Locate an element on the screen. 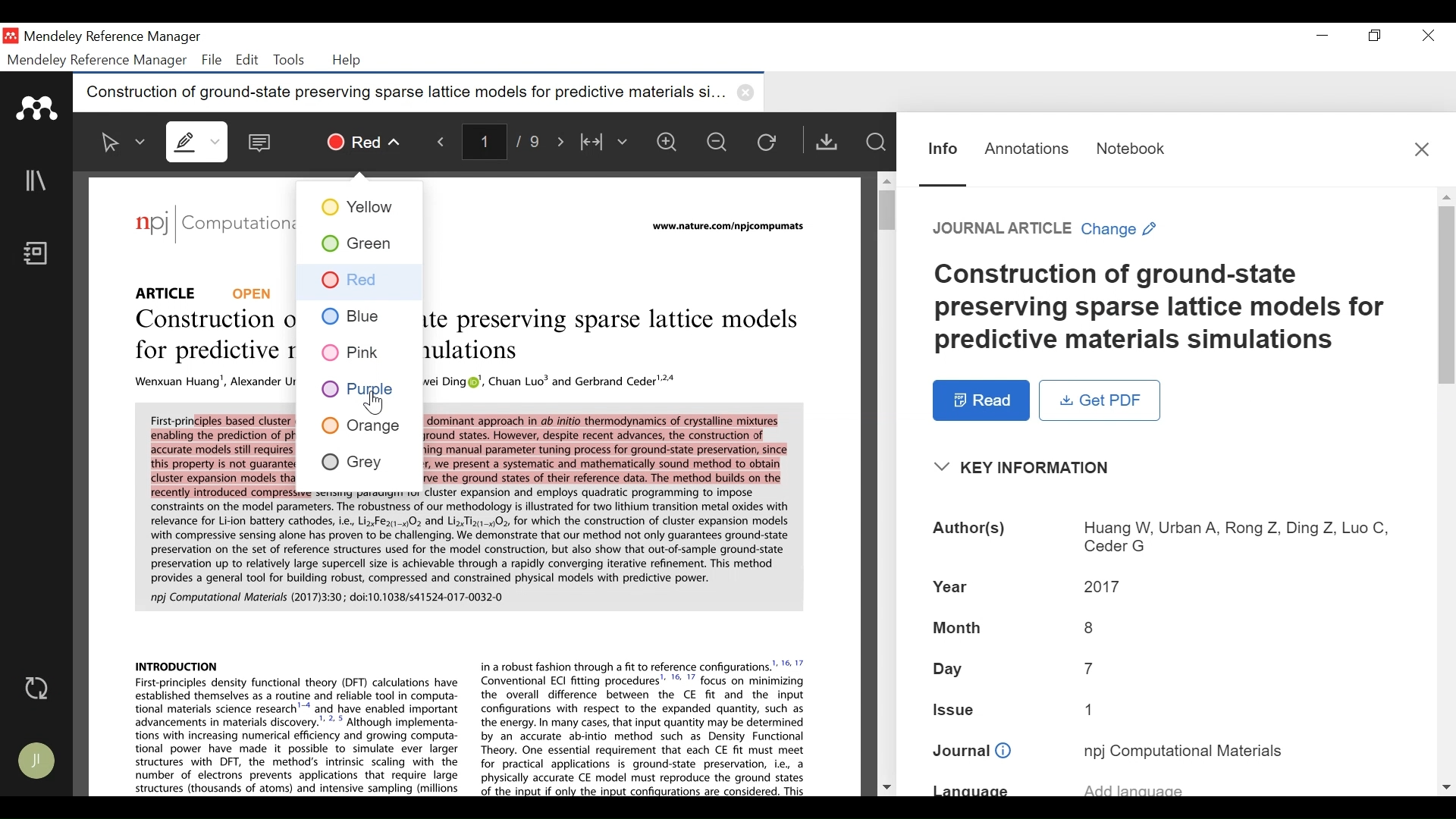  Edit is located at coordinates (248, 61).